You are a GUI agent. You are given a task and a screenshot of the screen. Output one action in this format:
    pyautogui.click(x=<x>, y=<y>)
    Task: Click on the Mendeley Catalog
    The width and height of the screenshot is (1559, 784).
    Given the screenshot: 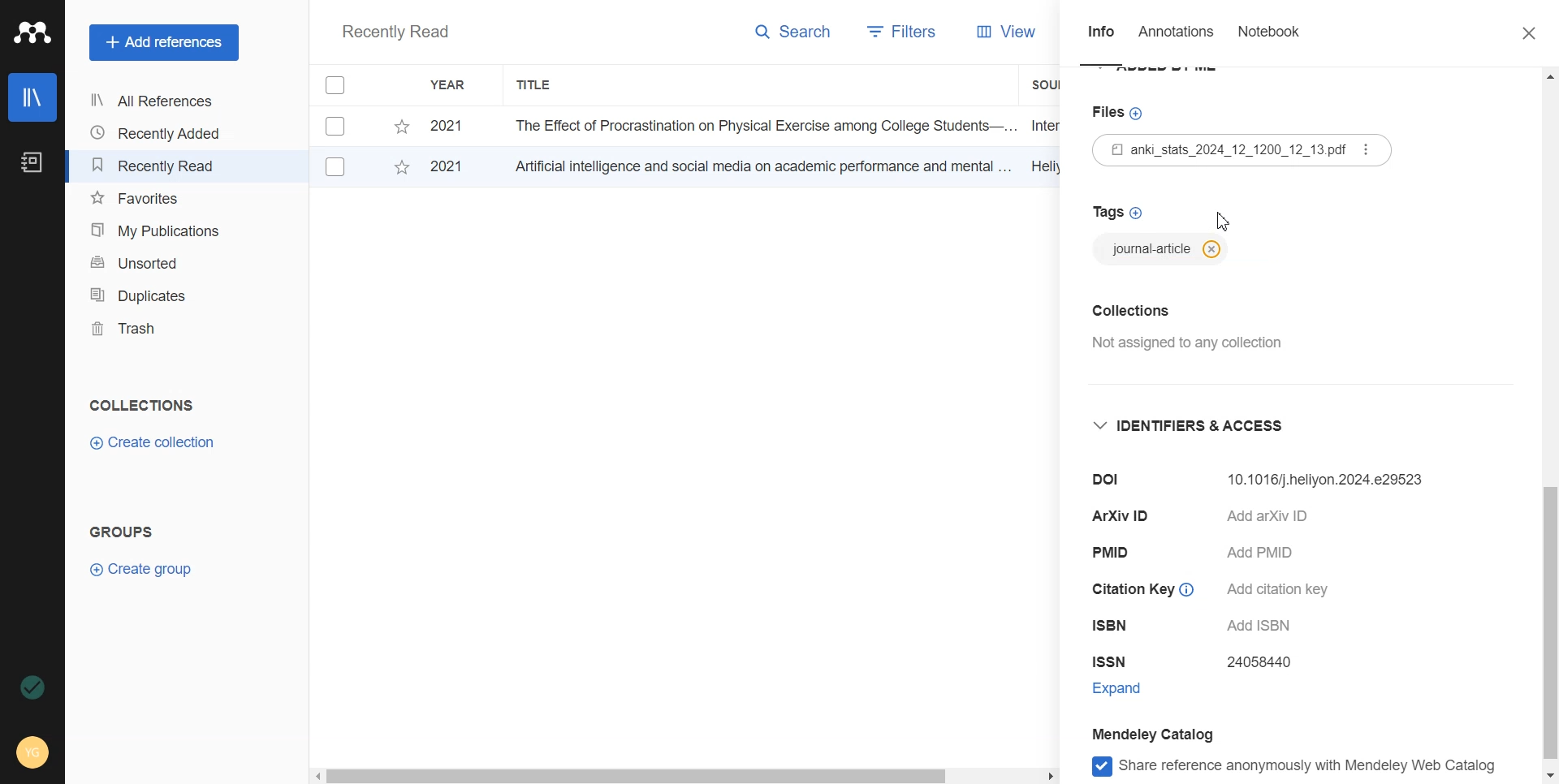 What is the action you would take?
    pyautogui.click(x=1181, y=737)
    